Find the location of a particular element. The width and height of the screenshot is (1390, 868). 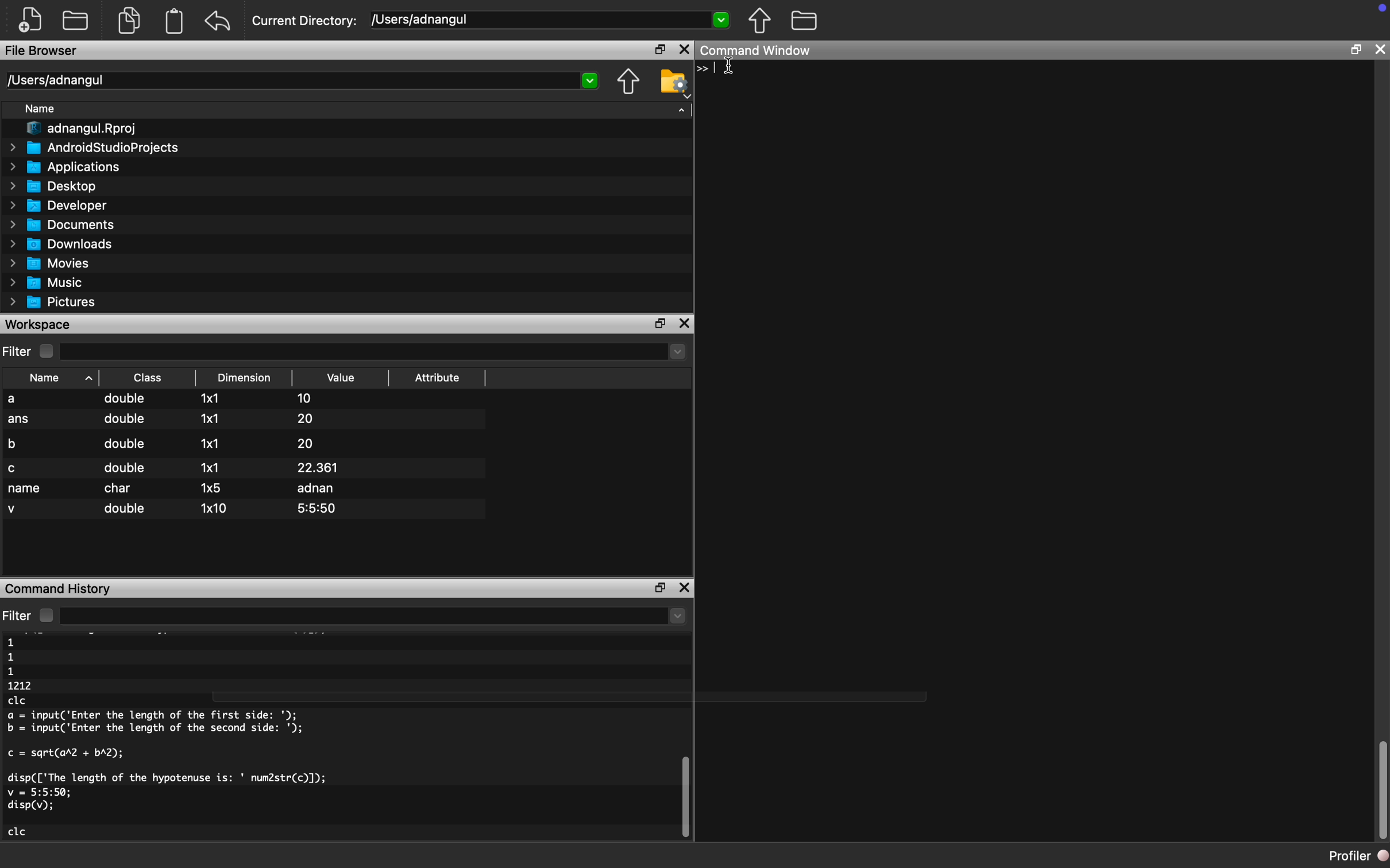

1

1

1

1212

clc

a = input('Enter the length of the first side: ');
b = input('Enter the length of the second side: ');
c = sqrt(arZ + bA2);

disp(['The length of the hypotenuse is: ' num2str(c)]);
v = 5:5:50;

disp(v);

clc is located at coordinates (168, 738).